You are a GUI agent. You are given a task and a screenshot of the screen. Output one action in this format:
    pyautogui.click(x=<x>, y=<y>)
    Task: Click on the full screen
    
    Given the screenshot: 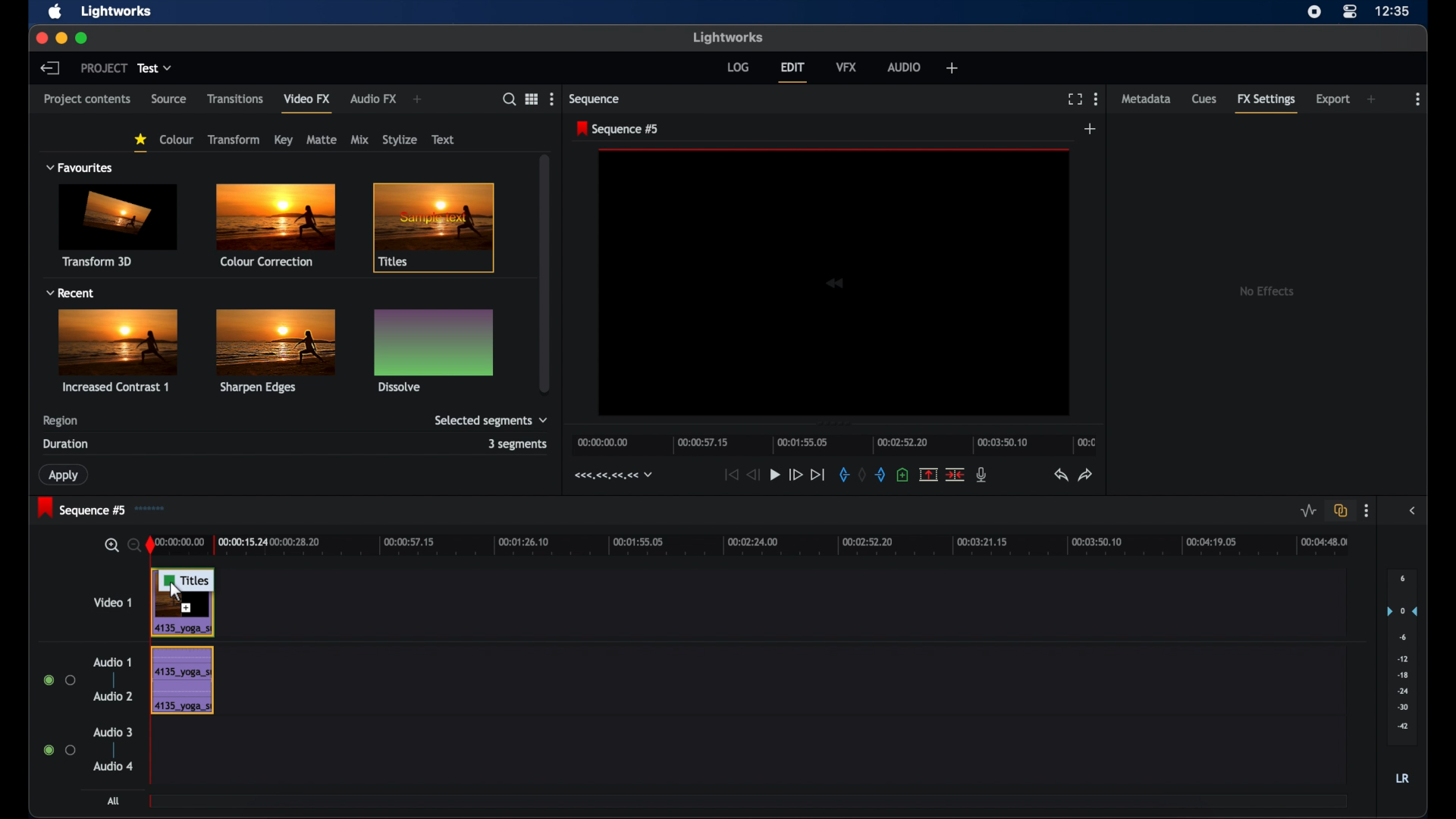 What is the action you would take?
    pyautogui.click(x=1075, y=99)
    